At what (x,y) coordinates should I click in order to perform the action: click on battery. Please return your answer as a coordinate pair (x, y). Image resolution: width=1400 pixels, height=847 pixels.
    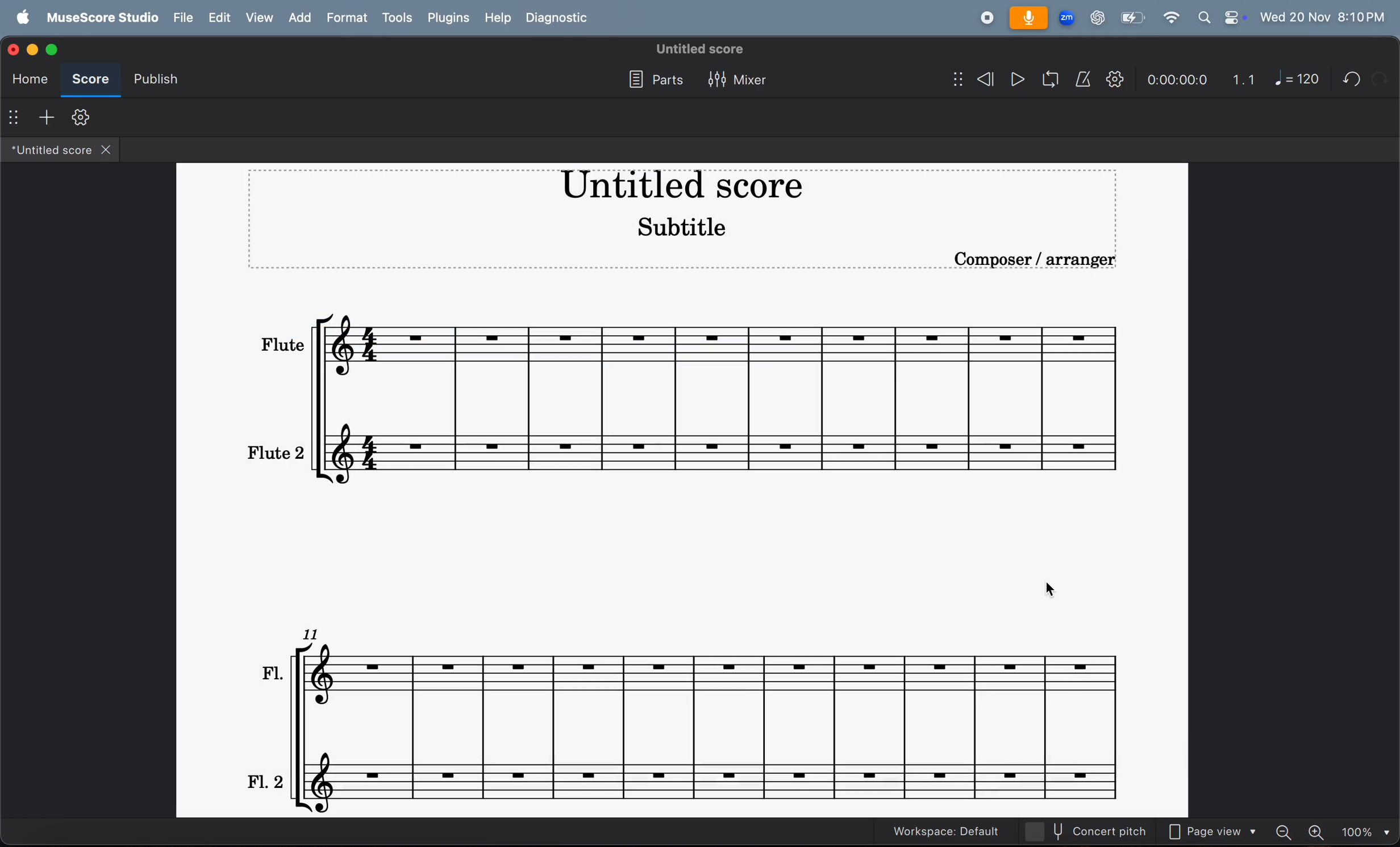
    Looking at the image, I should click on (1132, 20).